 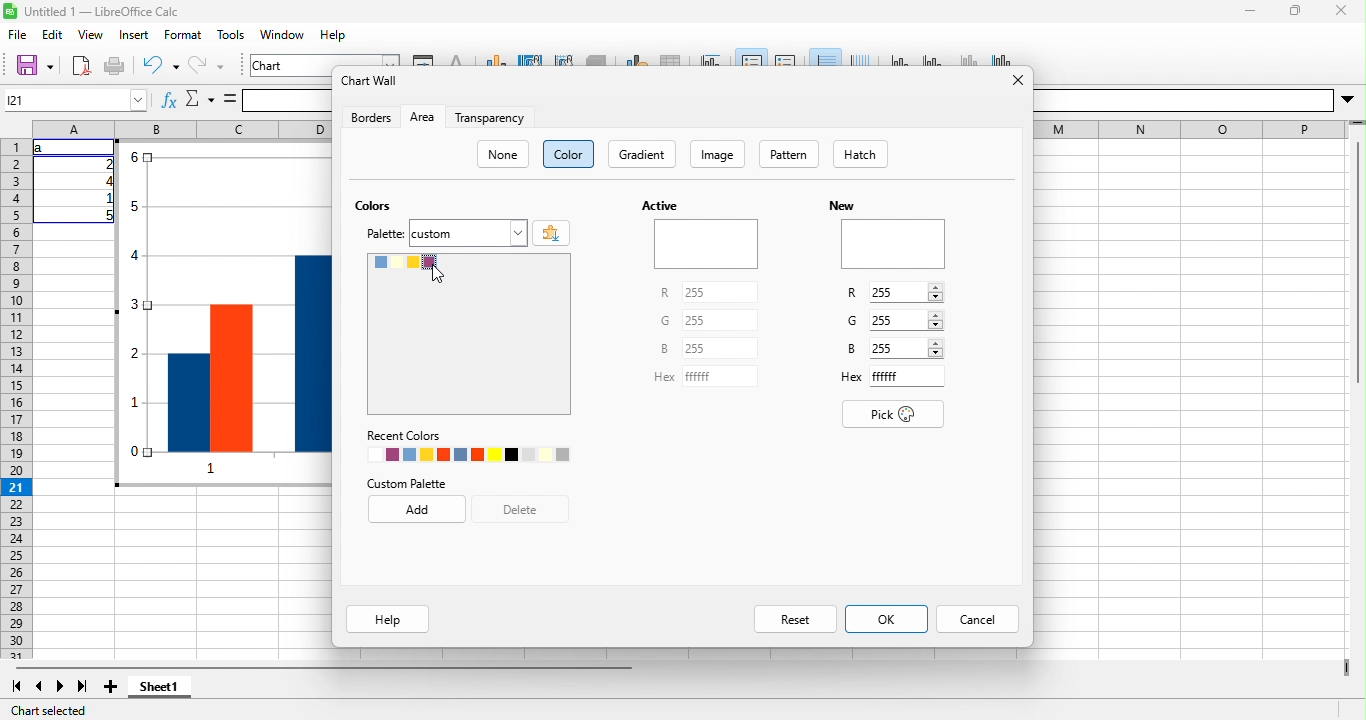 I want to click on G, so click(x=665, y=320).